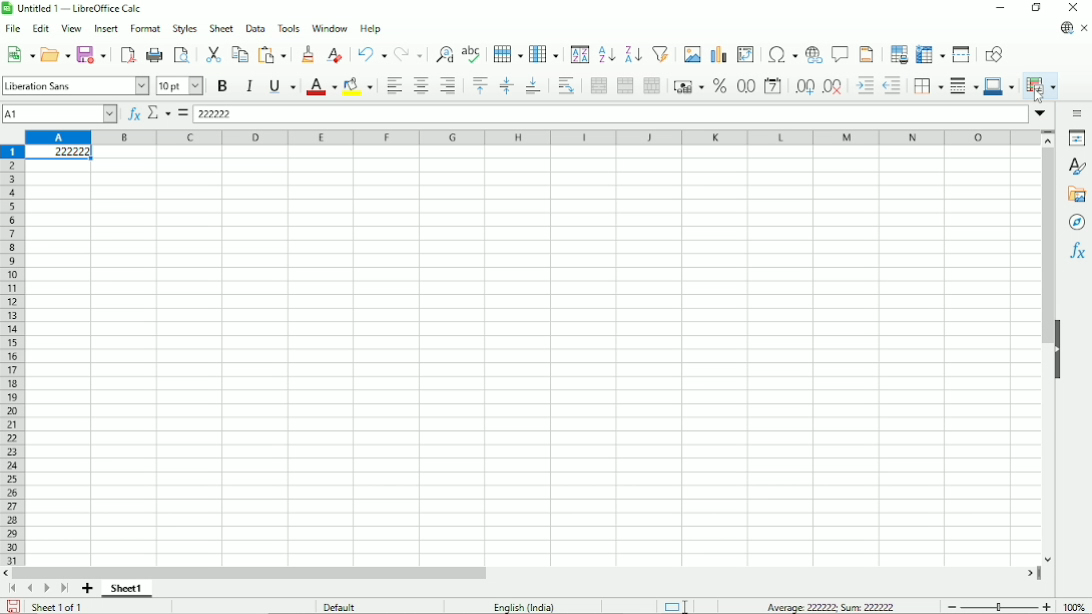  I want to click on Scroll to next page, so click(47, 589).